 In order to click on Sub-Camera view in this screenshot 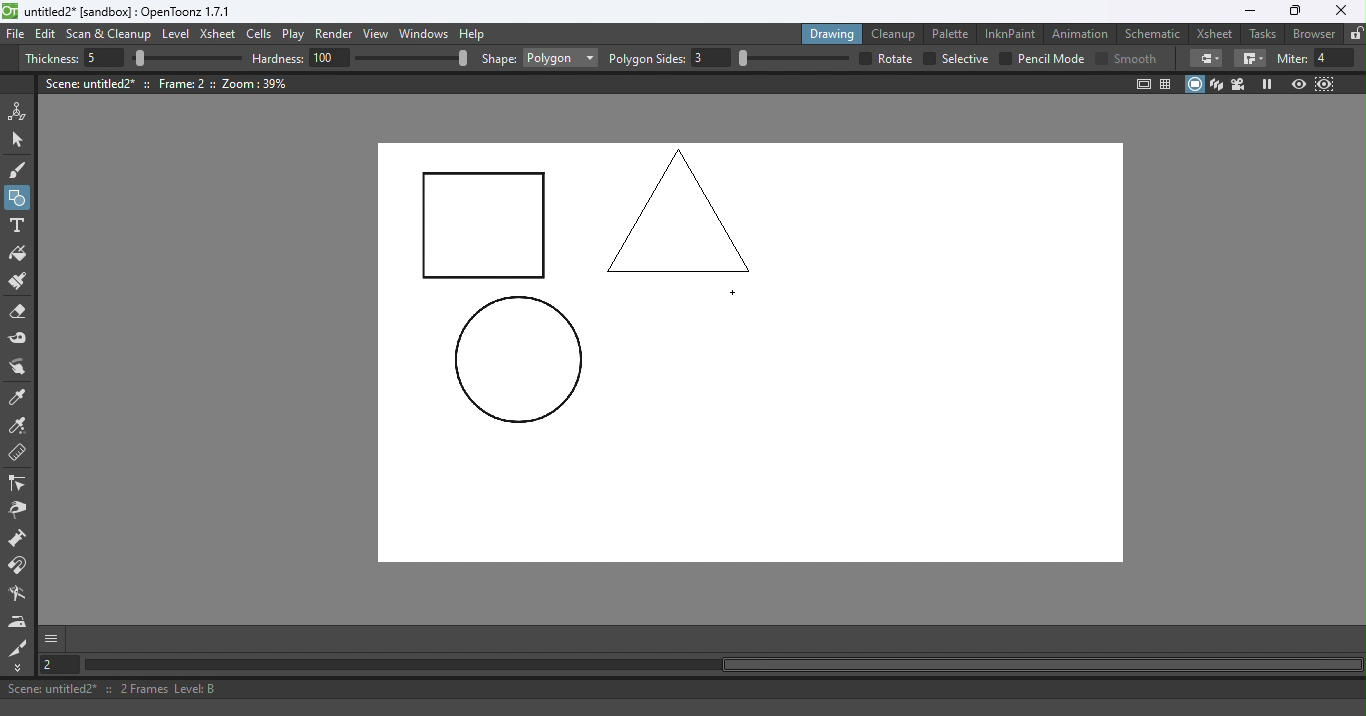, I will do `click(1326, 84)`.